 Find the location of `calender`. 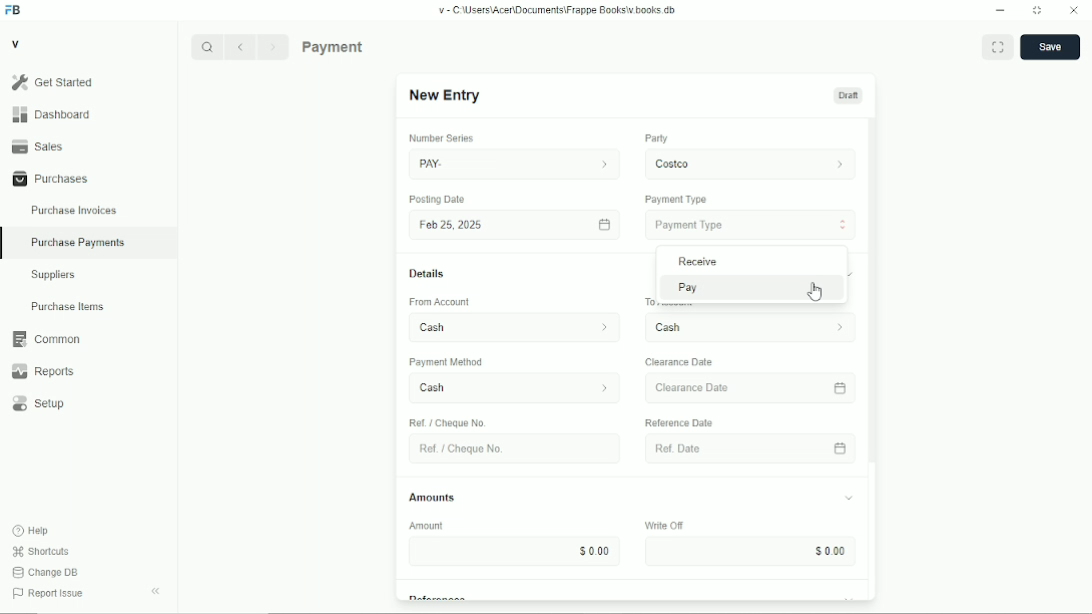

calender is located at coordinates (842, 448).